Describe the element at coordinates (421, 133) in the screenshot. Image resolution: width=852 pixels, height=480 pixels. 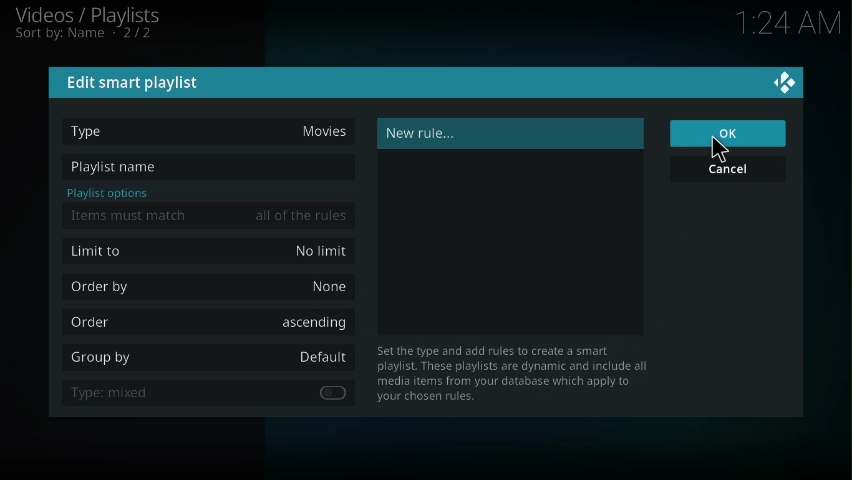
I see `new rule` at that location.